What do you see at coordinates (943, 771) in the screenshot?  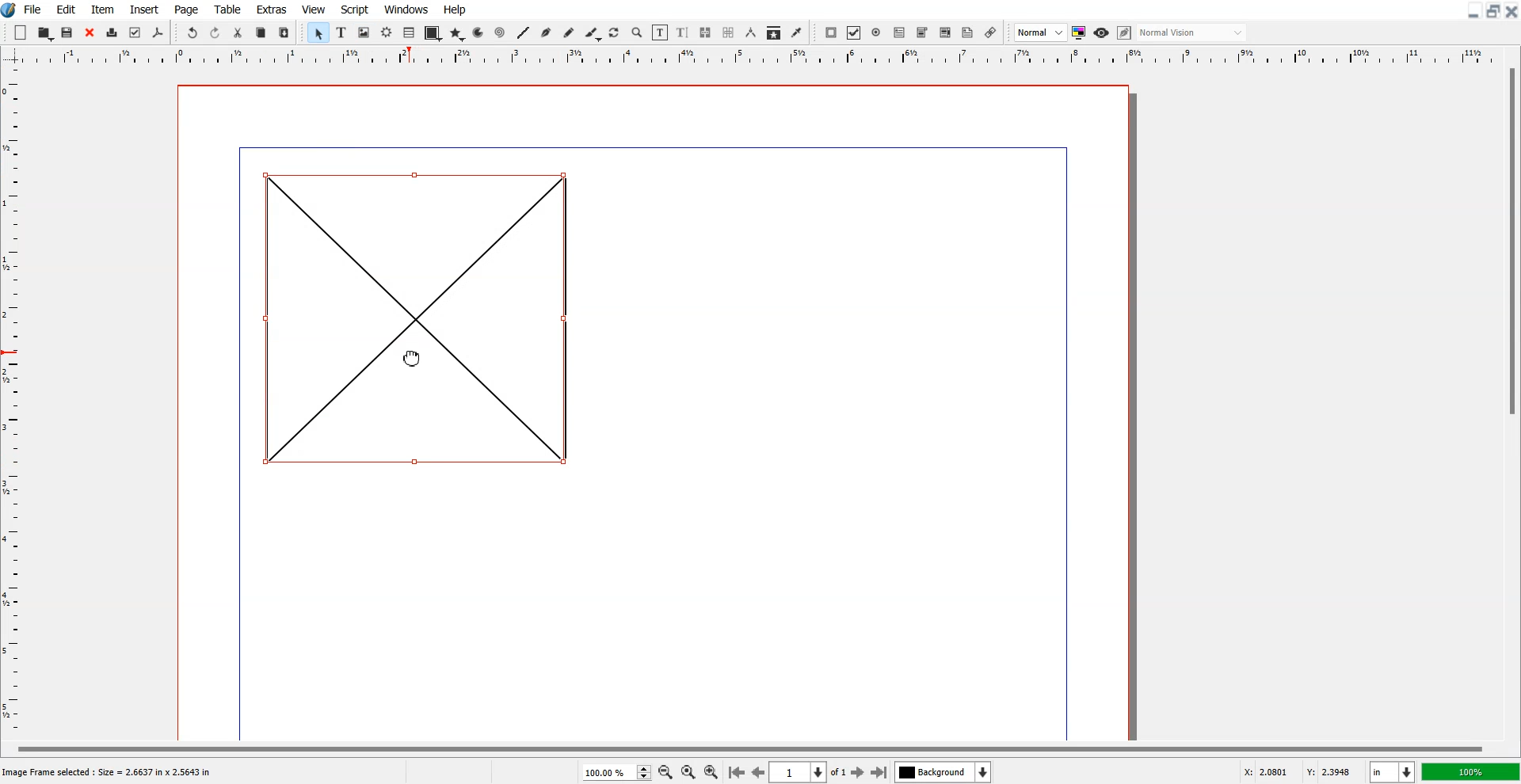 I see `Select the current layer` at bounding box center [943, 771].